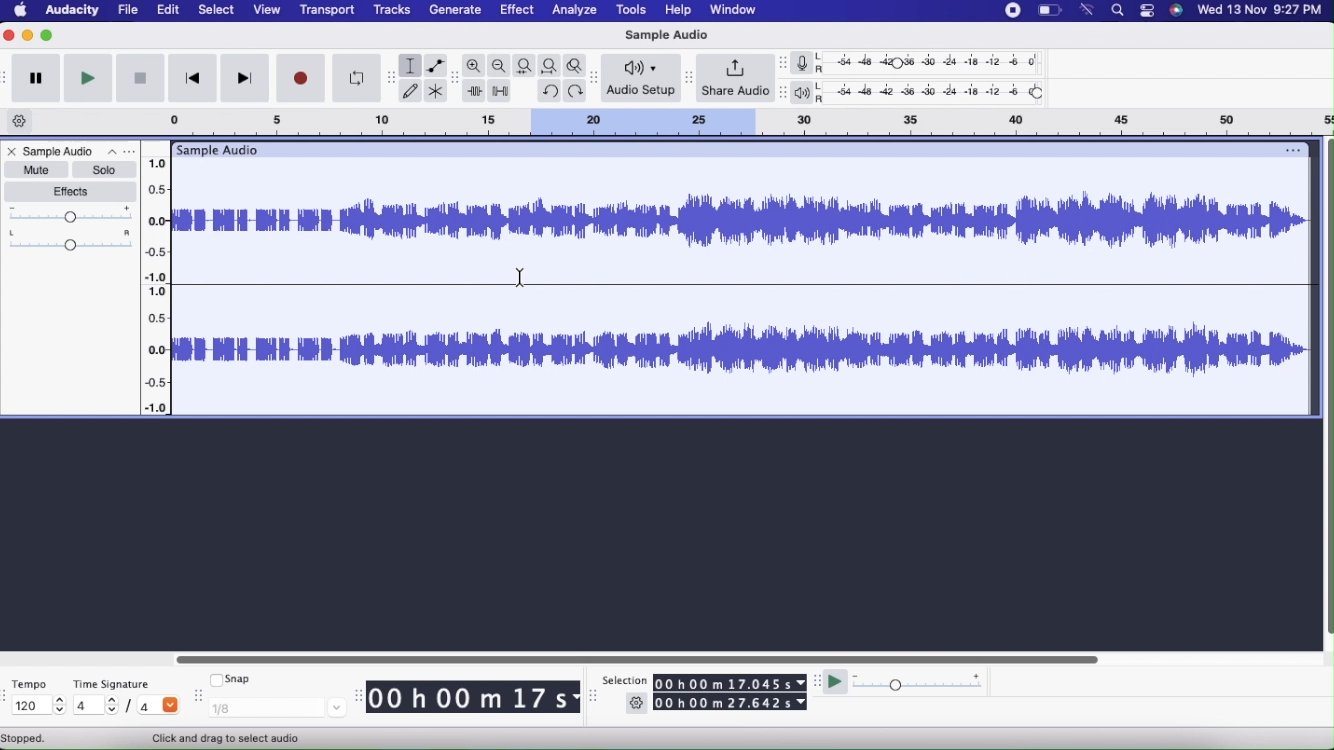 Image resolution: width=1334 pixels, height=750 pixels. What do you see at coordinates (1088, 10) in the screenshot?
I see `network` at bounding box center [1088, 10].